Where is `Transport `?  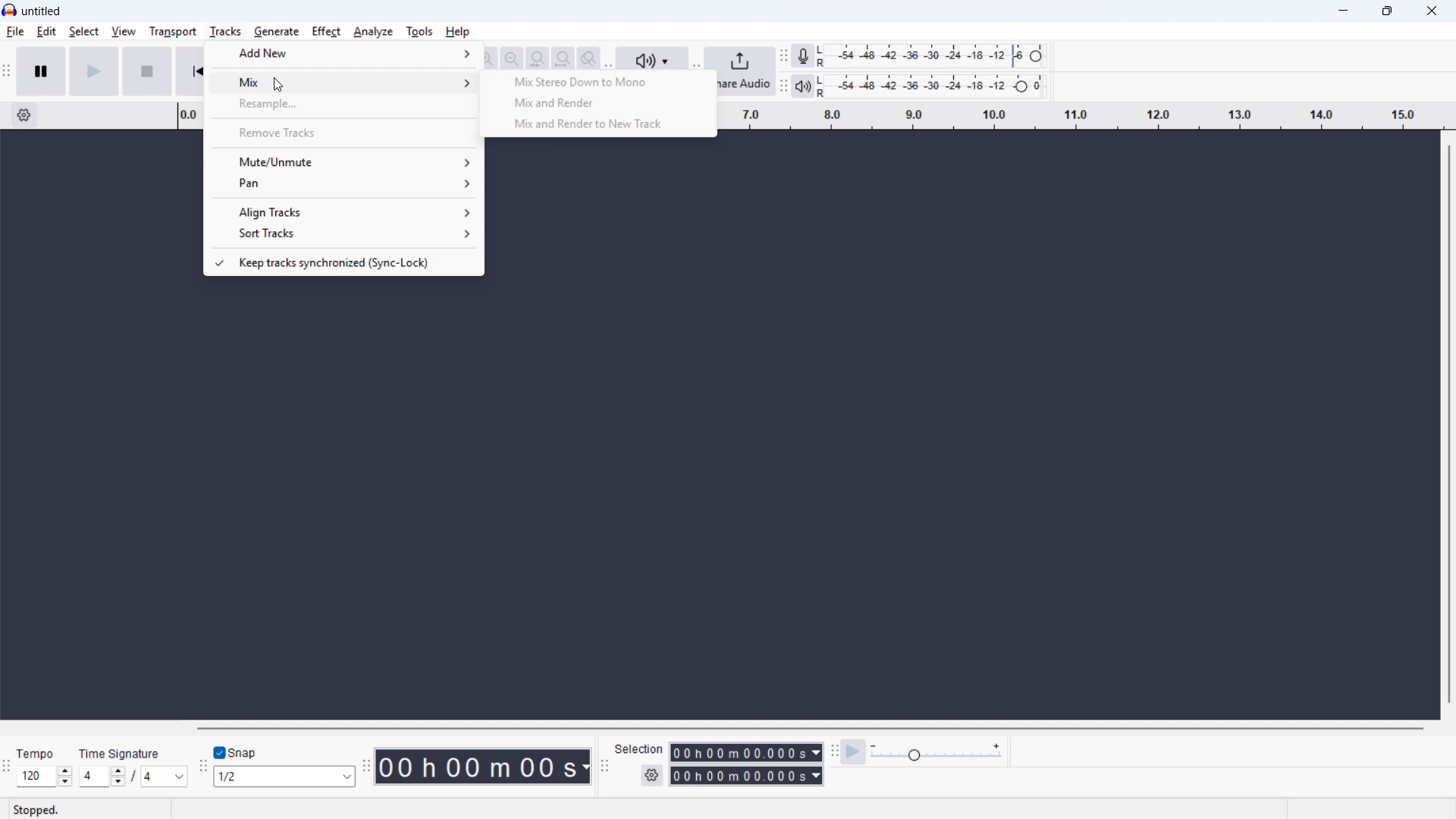 Transport  is located at coordinates (173, 31).